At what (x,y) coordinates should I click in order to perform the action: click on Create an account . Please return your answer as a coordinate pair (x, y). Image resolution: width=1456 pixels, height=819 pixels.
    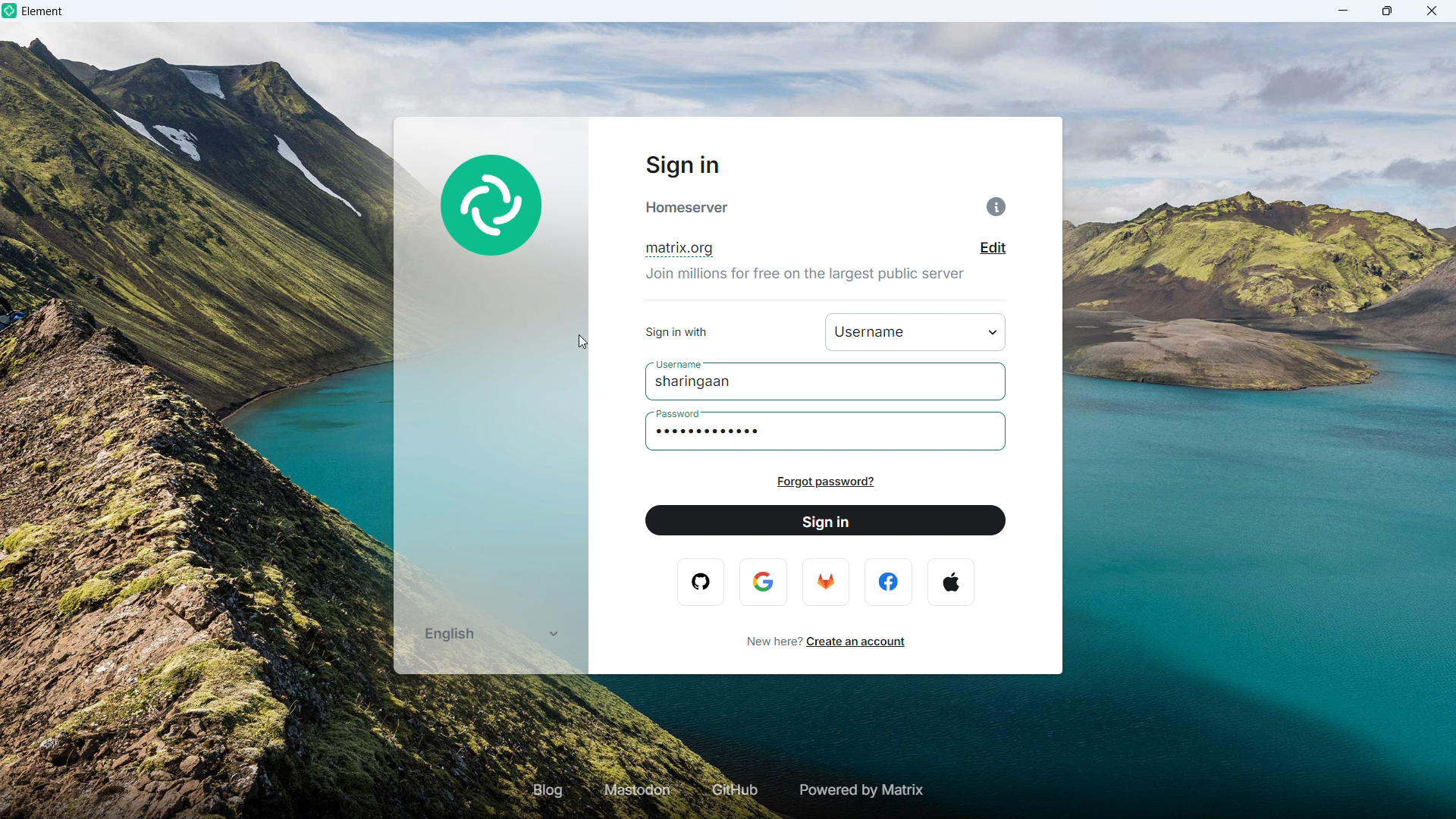
    Looking at the image, I should click on (854, 642).